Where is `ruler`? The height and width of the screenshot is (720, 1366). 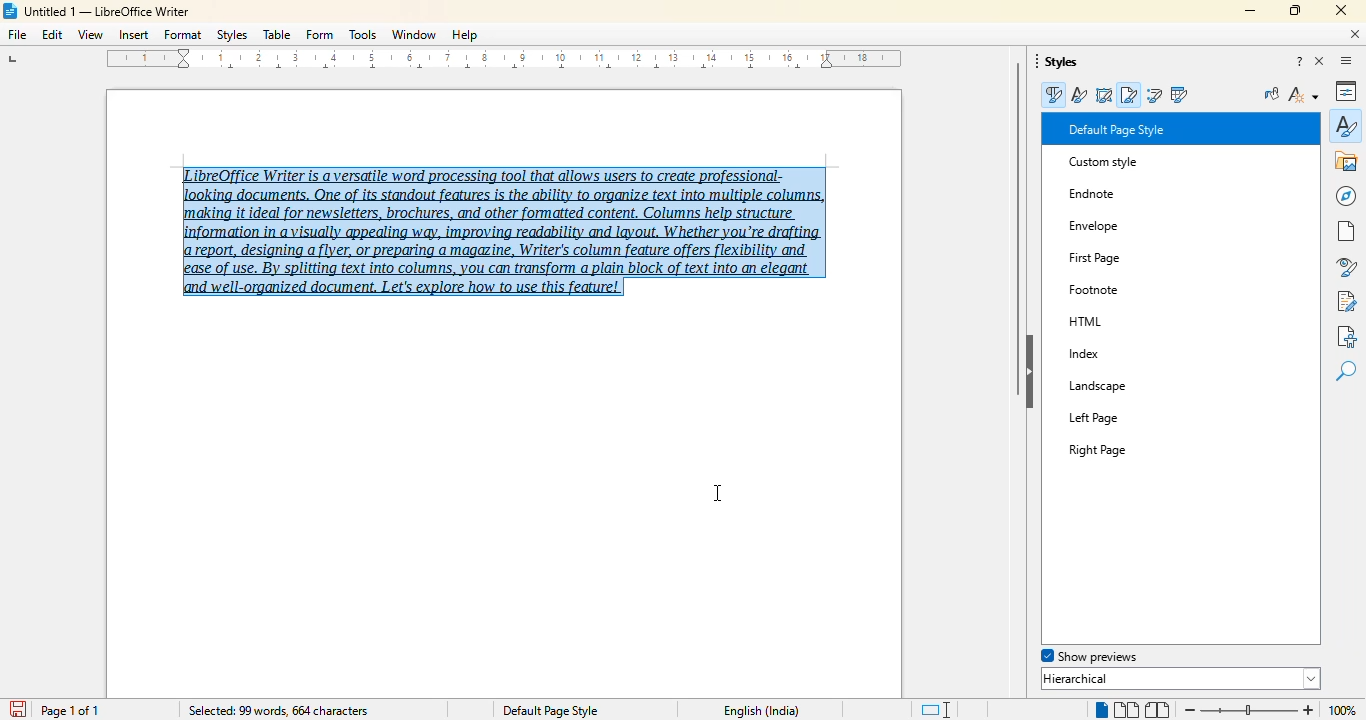 ruler is located at coordinates (508, 62).